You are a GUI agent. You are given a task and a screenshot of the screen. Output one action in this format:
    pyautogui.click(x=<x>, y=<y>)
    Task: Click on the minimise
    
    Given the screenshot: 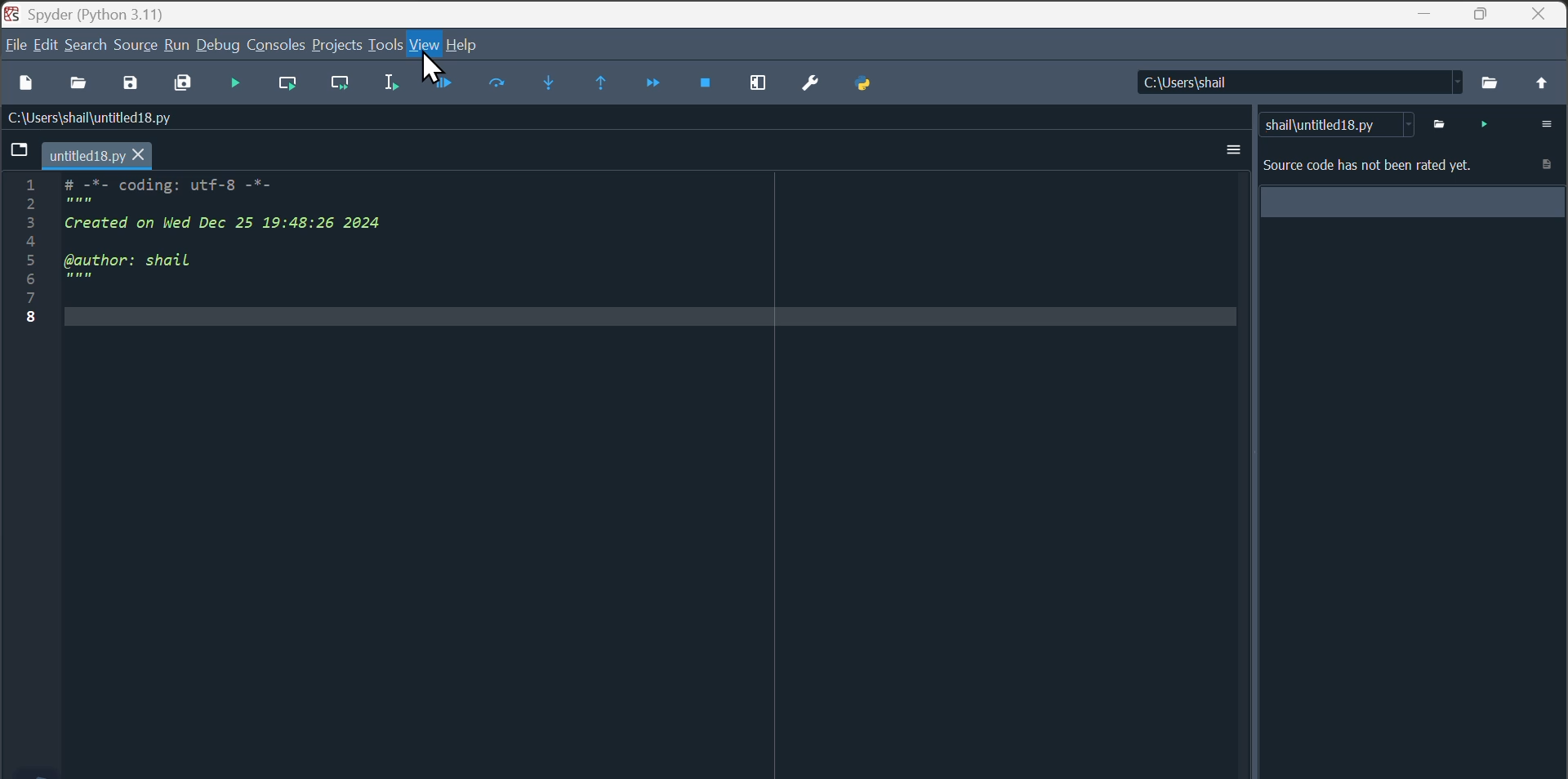 What is the action you would take?
    pyautogui.click(x=1425, y=15)
    